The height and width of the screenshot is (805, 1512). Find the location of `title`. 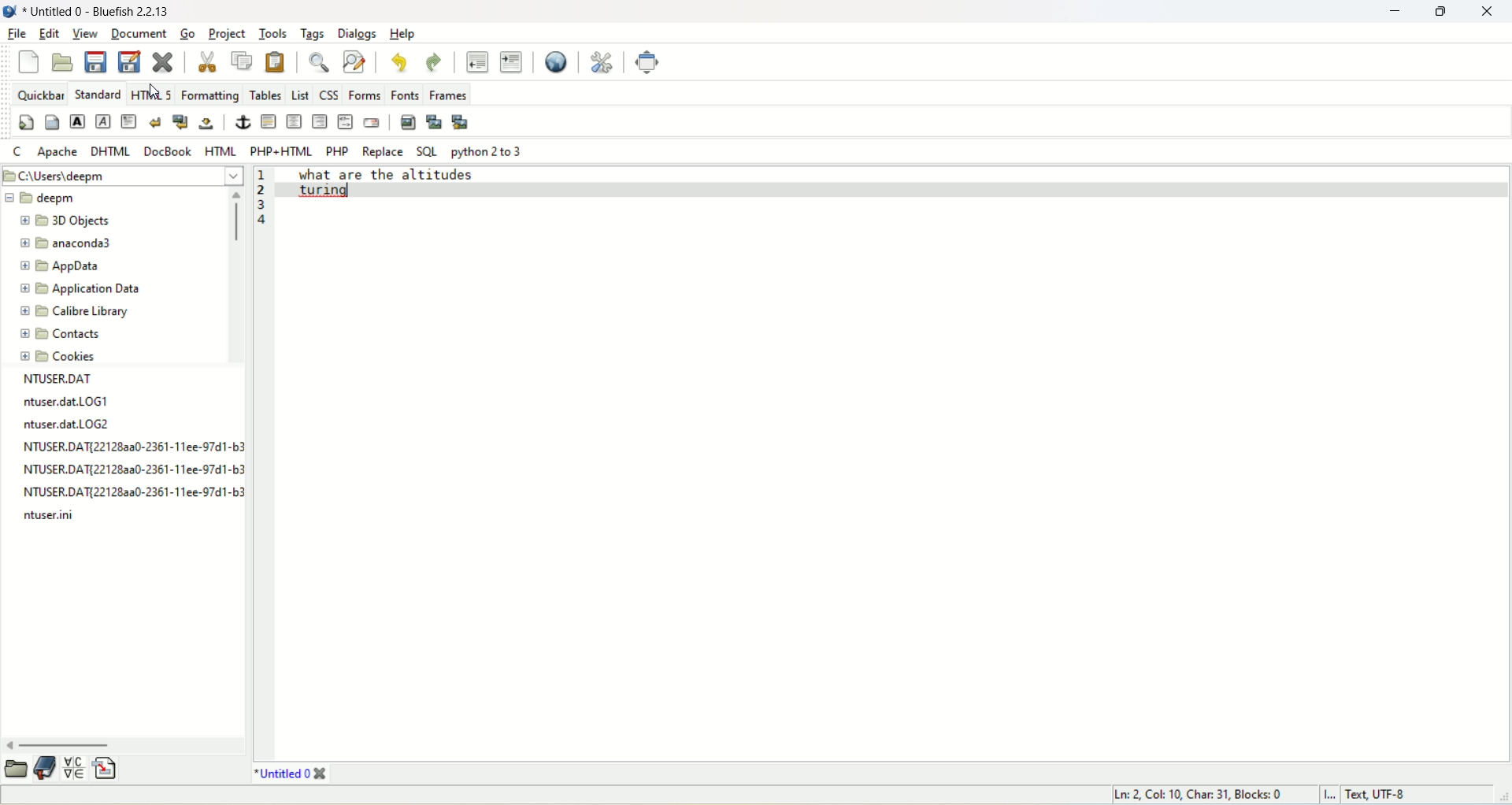

title is located at coordinates (97, 10).